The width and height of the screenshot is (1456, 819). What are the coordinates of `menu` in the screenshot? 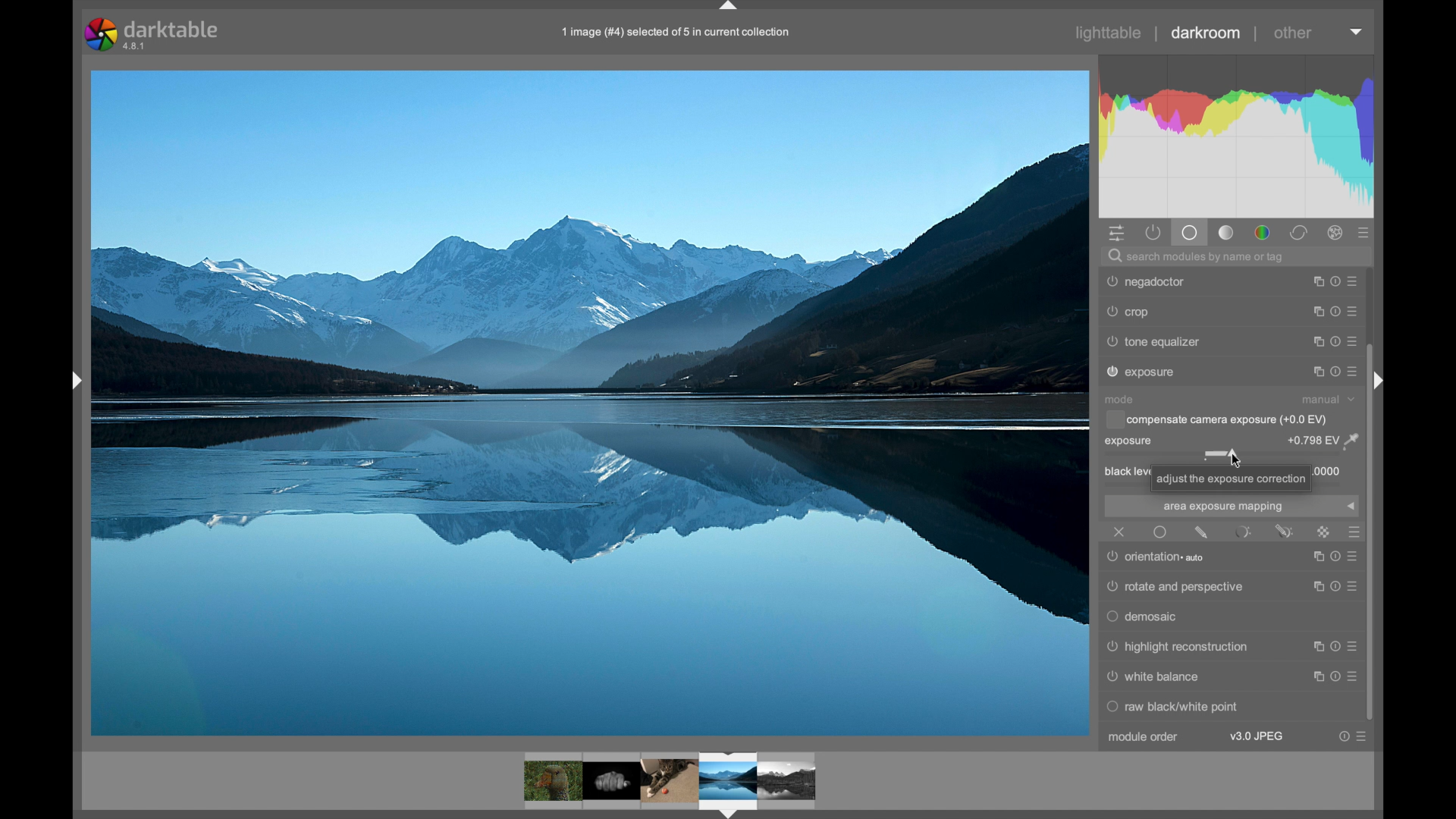 It's located at (1332, 561).